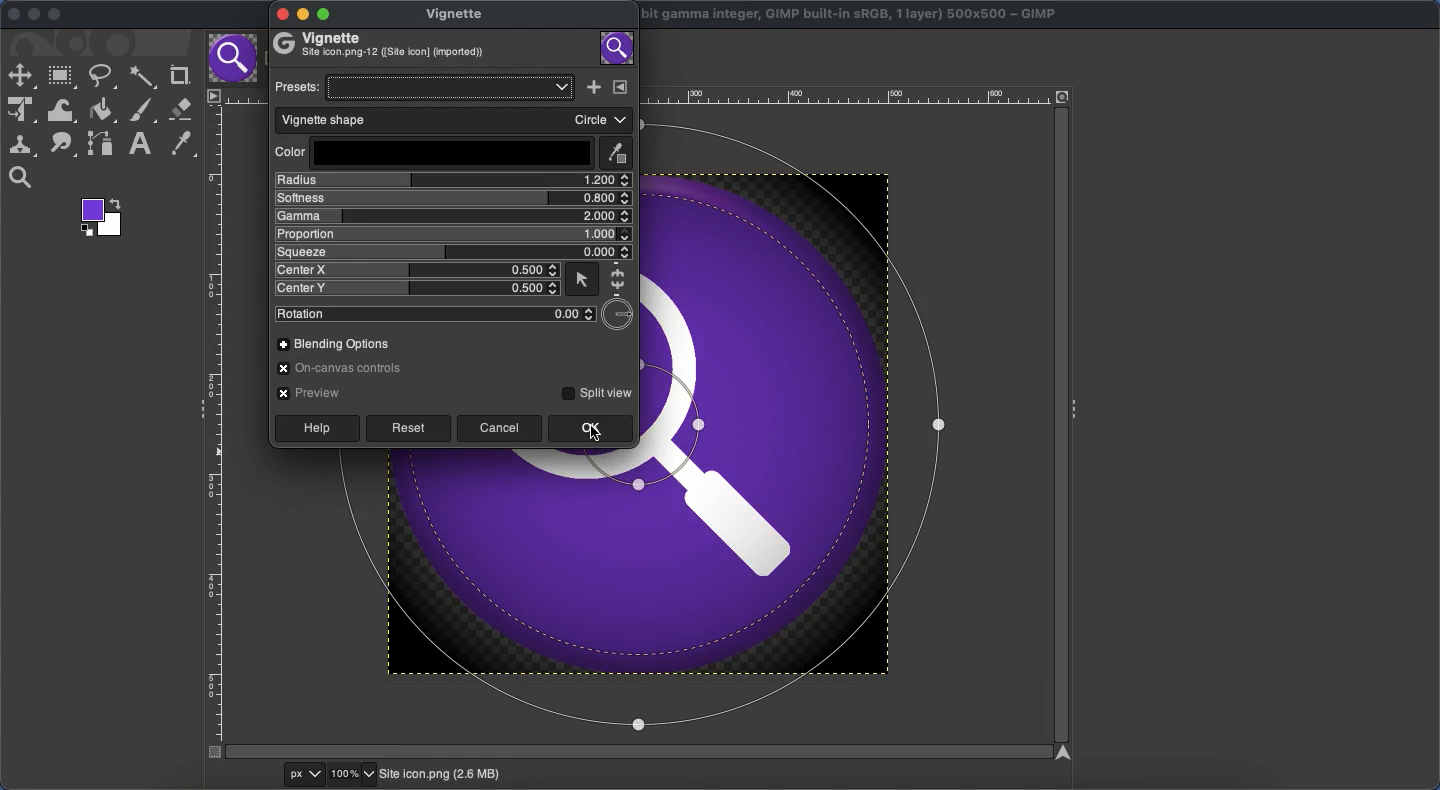 The image size is (1440, 790). Describe the element at coordinates (452, 179) in the screenshot. I see `Radius` at that location.